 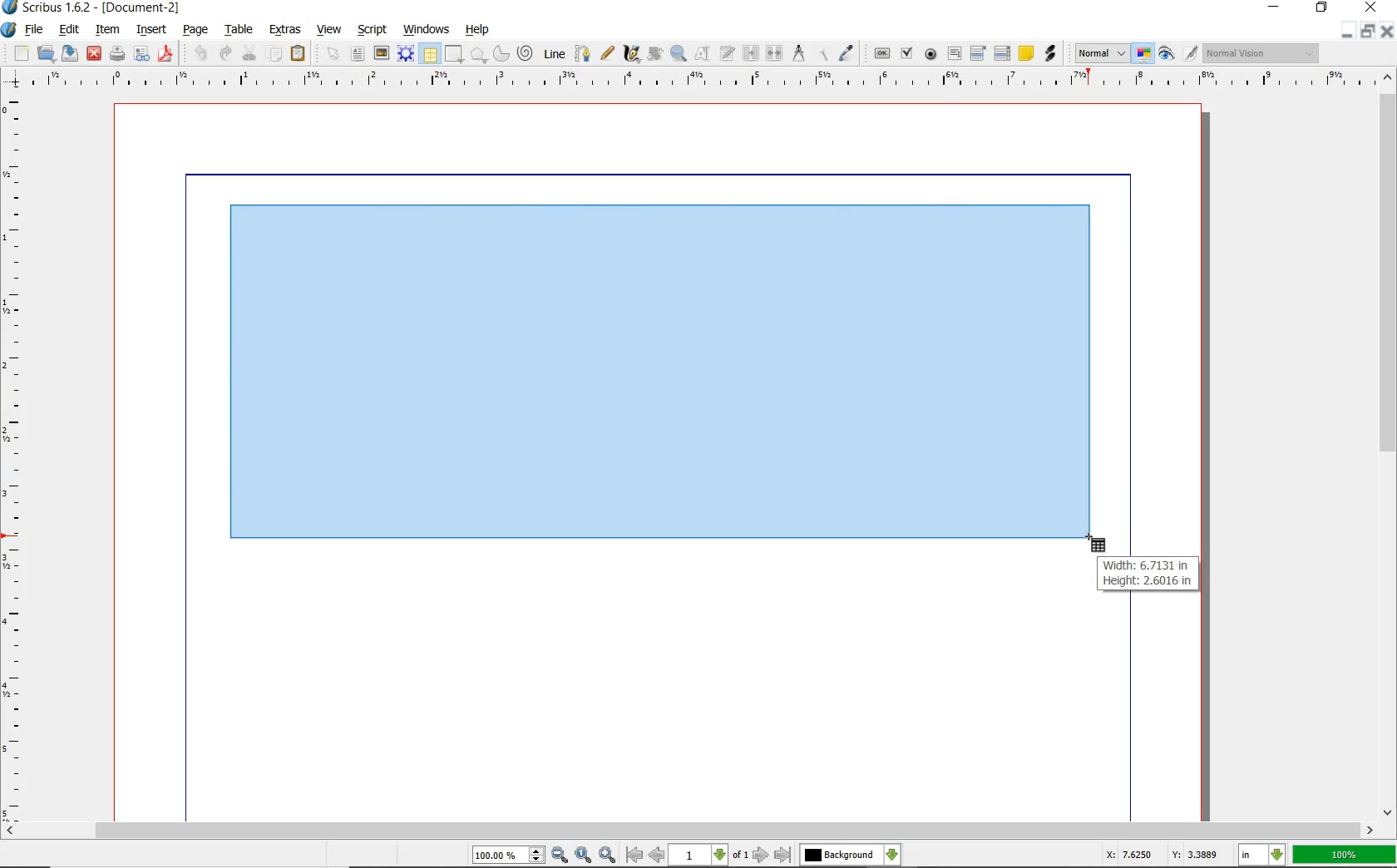 What do you see at coordinates (201, 54) in the screenshot?
I see `undo` at bounding box center [201, 54].